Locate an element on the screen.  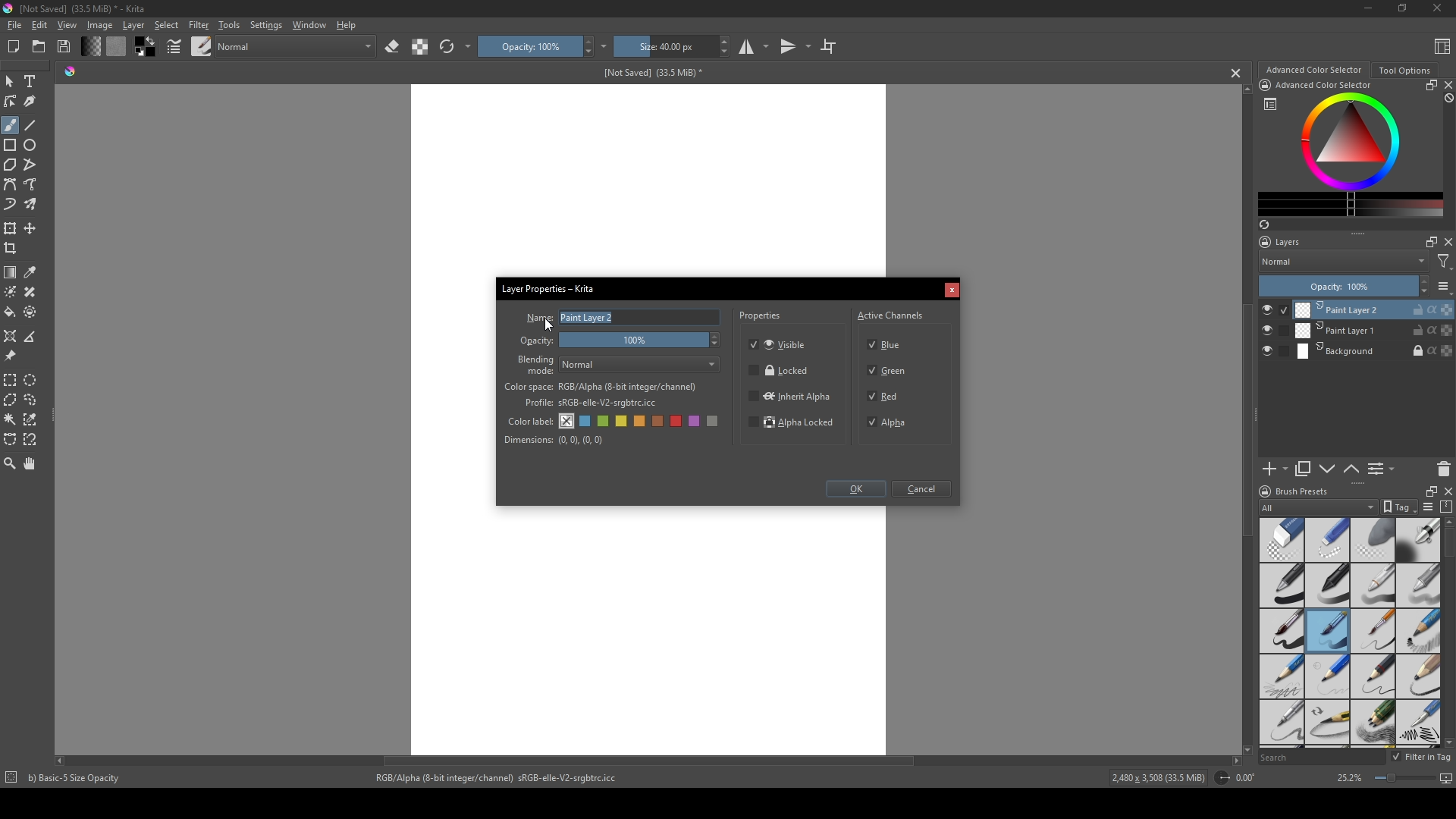
close is located at coordinates (1447, 242).